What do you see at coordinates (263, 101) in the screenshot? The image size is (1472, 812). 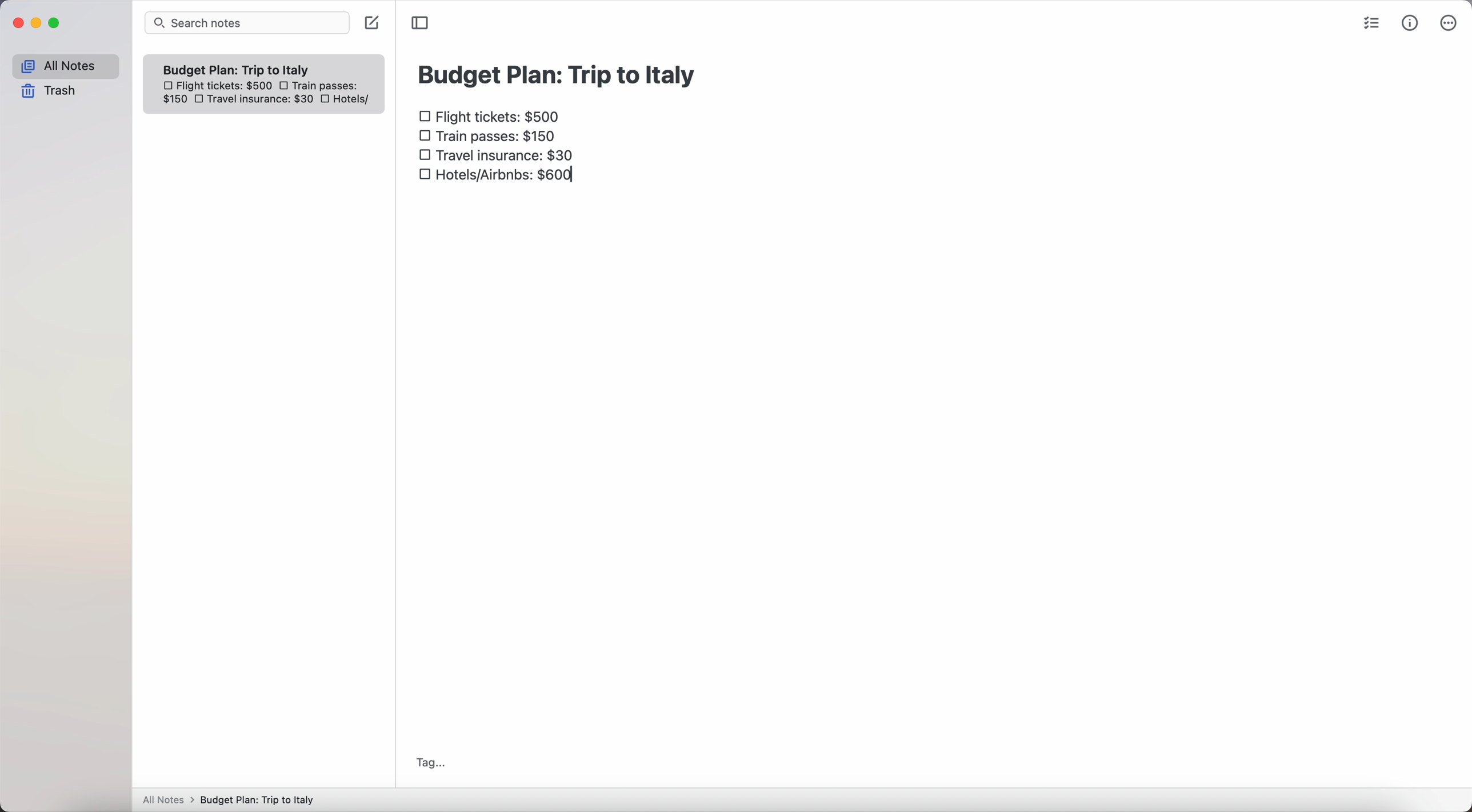 I see `travel insurance: $30` at bounding box center [263, 101].